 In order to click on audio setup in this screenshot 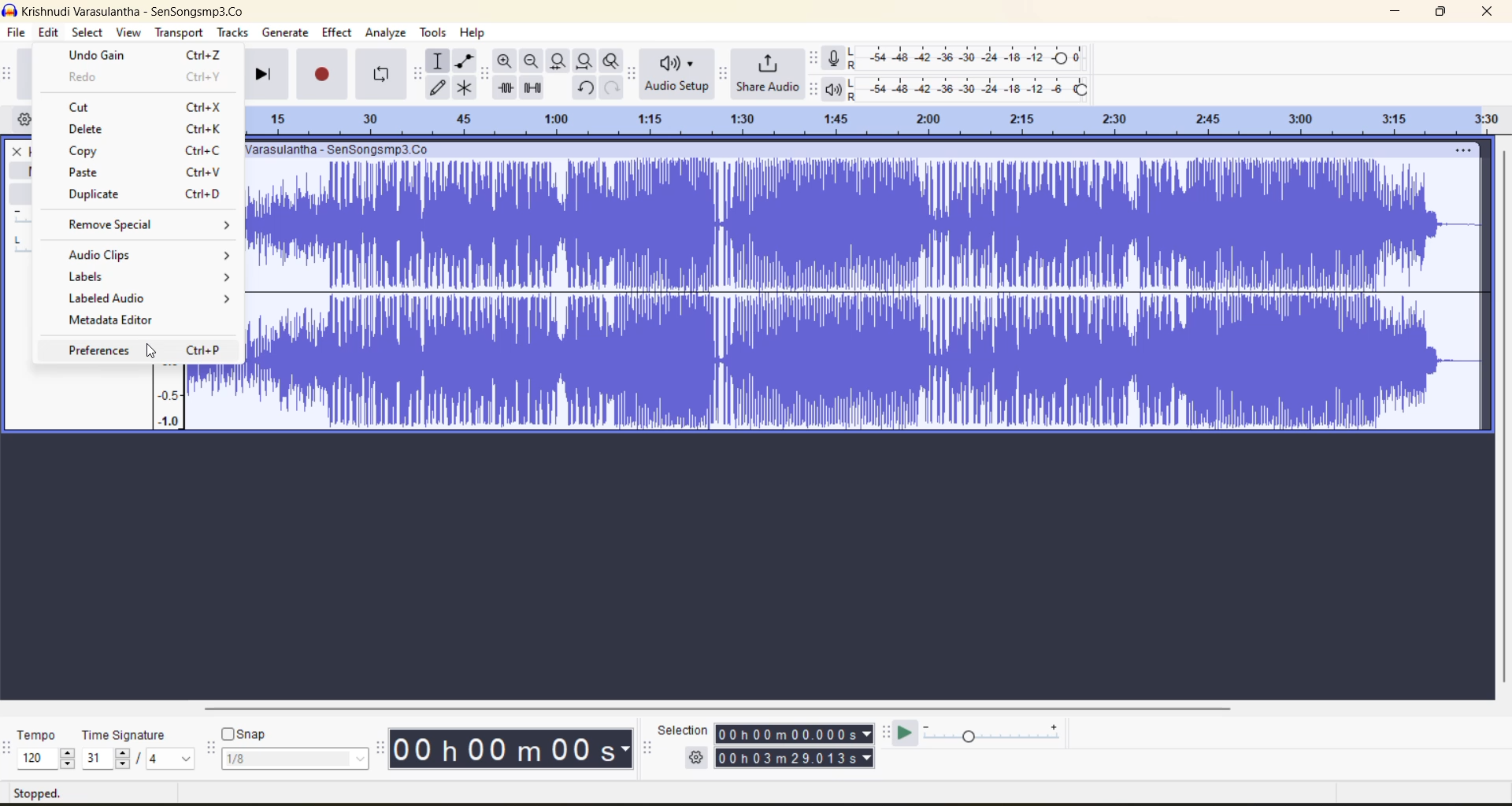, I will do `click(678, 76)`.